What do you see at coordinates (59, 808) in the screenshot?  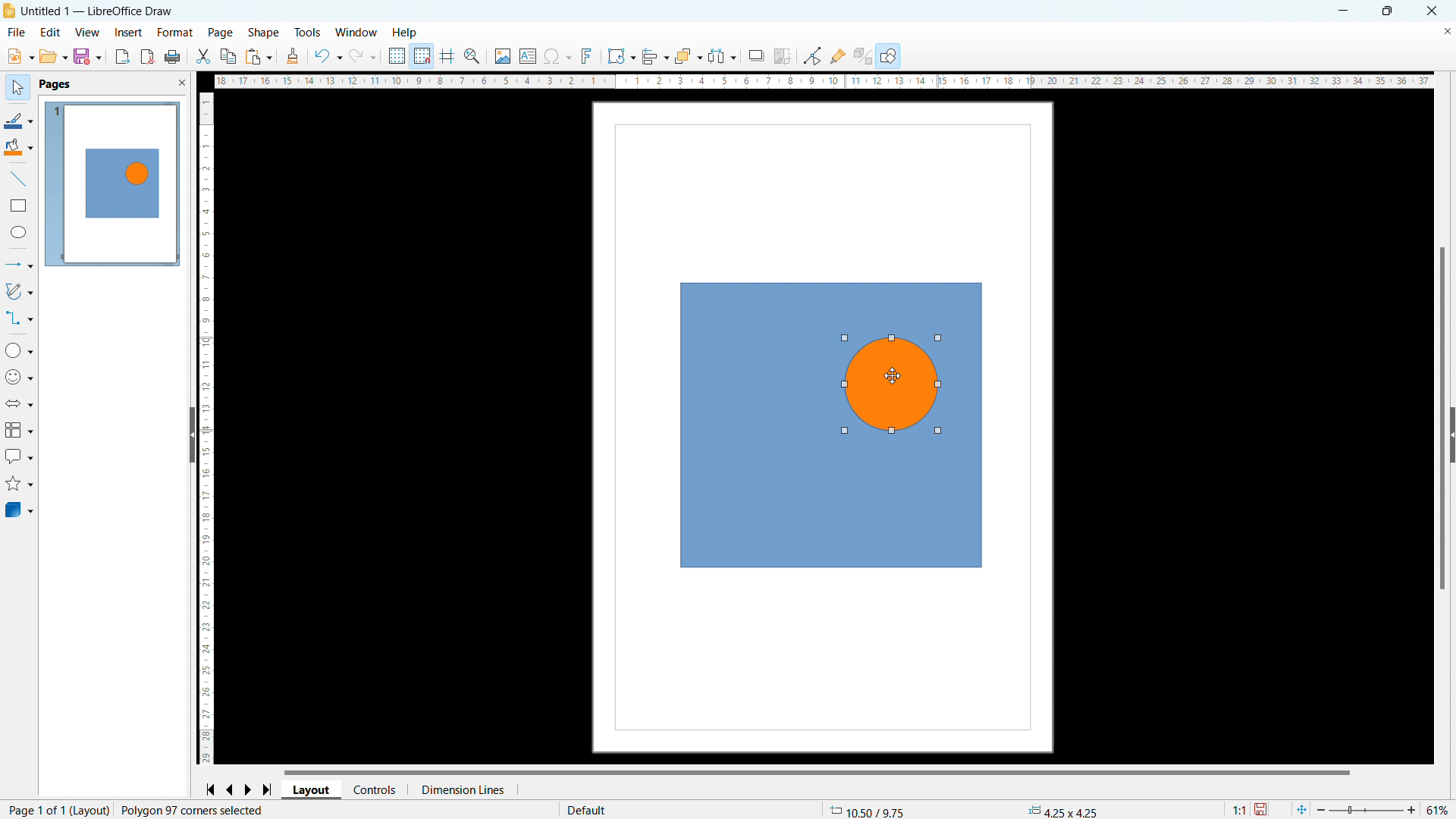 I see `page 1 of 1 (Layout)` at bounding box center [59, 808].